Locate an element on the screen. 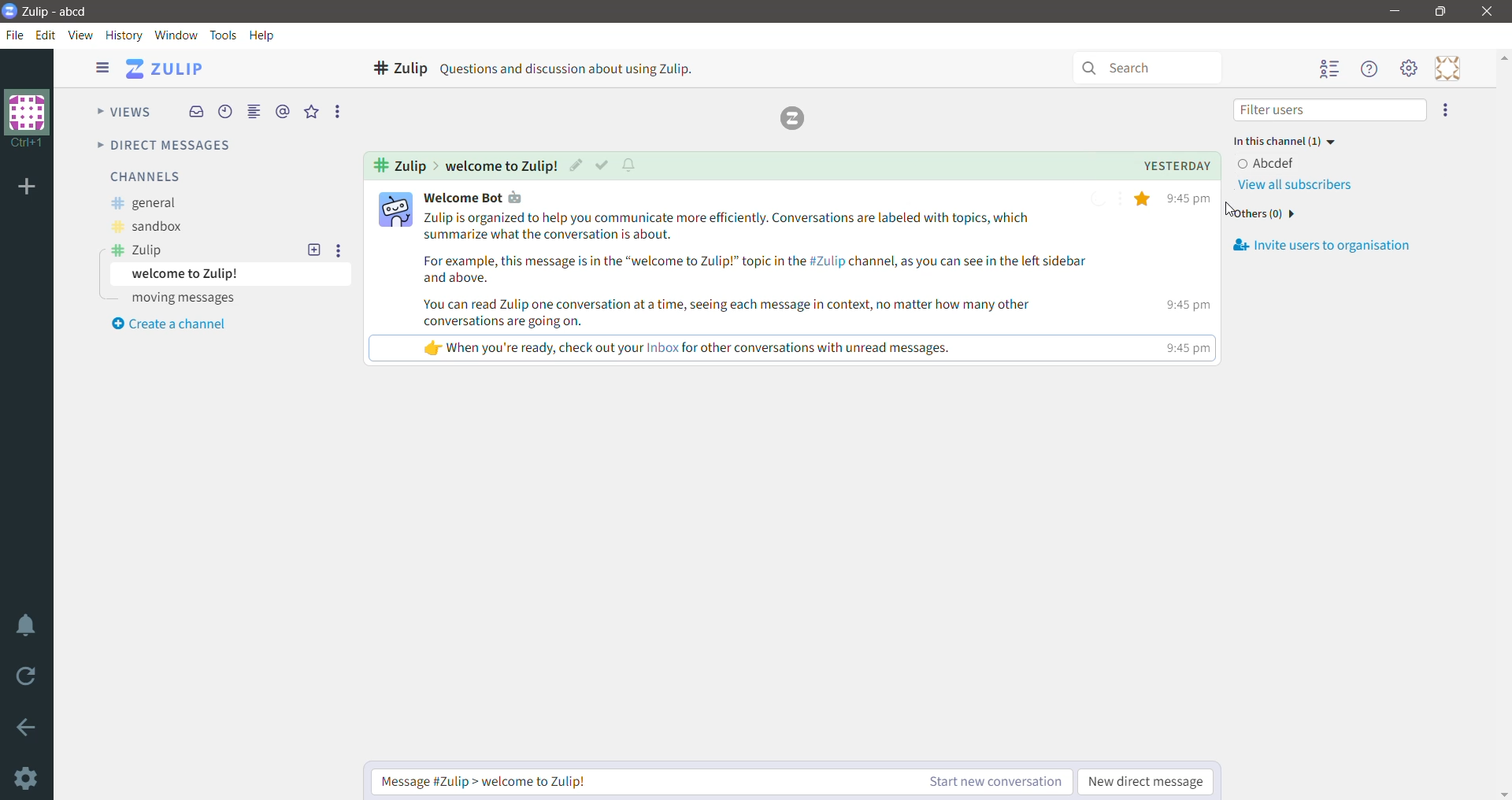  Application is located at coordinates (167, 69).